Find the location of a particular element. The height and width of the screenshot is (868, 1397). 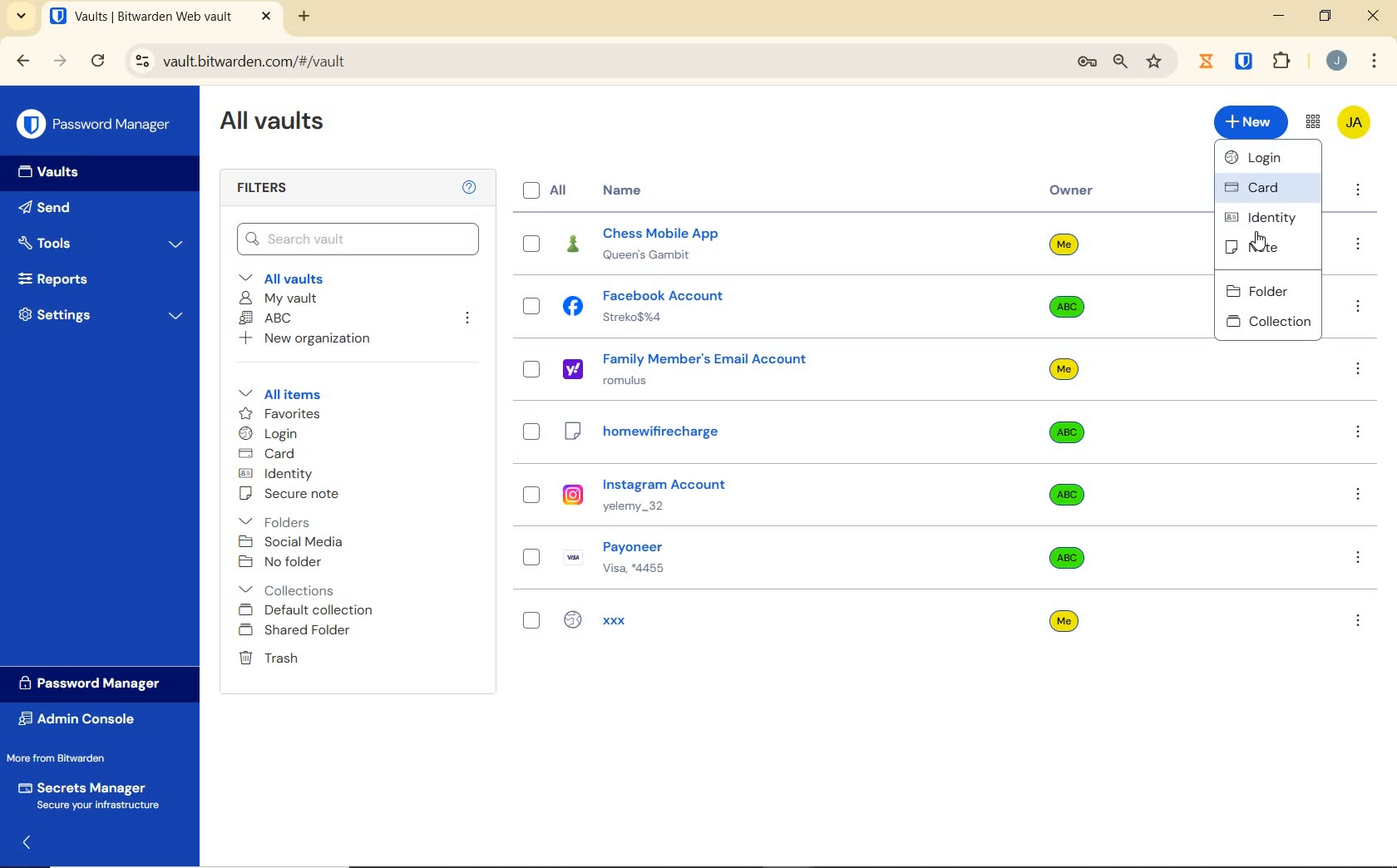

NEW TAB is located at coordinates (306, 17).